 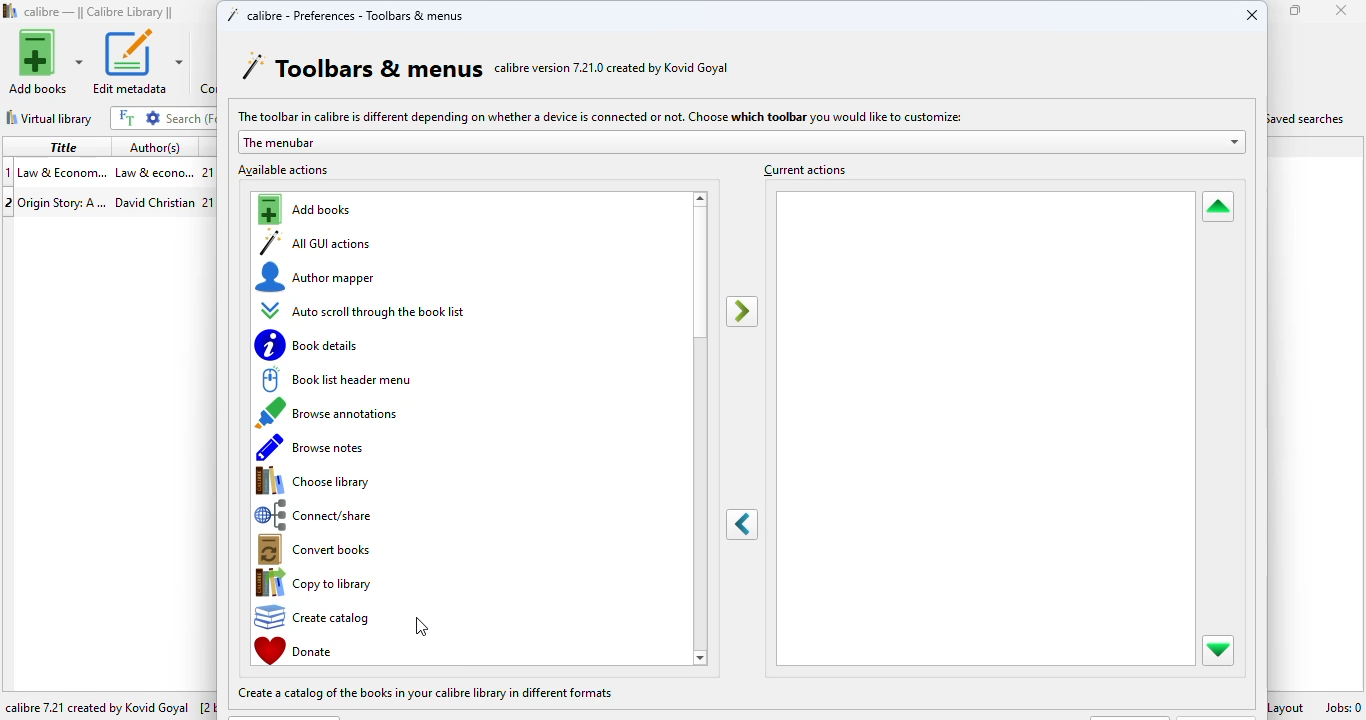 I want to click on vertical scroll bar, so click(x=700, y=275).